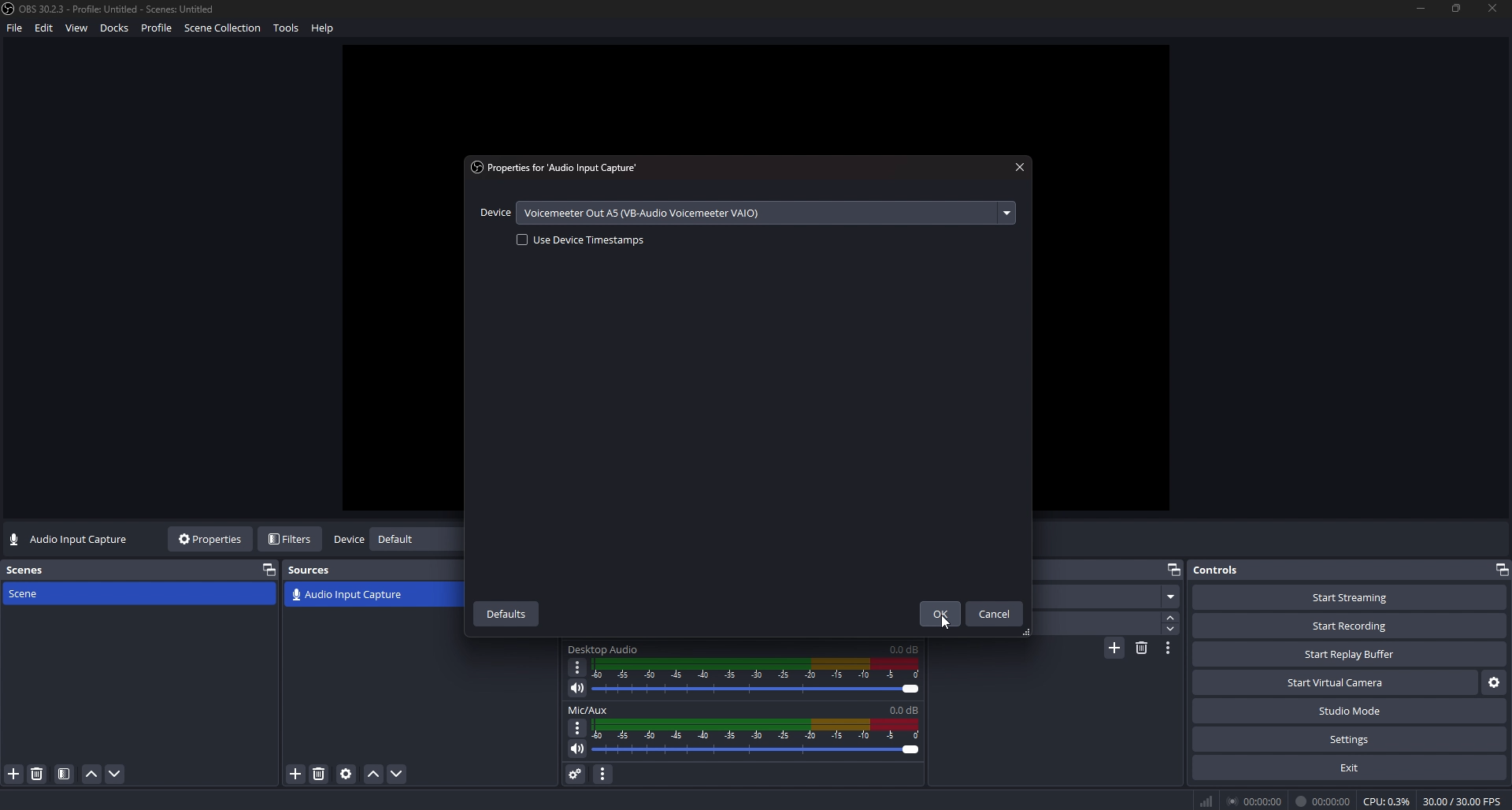  I want to click on filters, so click(292, 539).